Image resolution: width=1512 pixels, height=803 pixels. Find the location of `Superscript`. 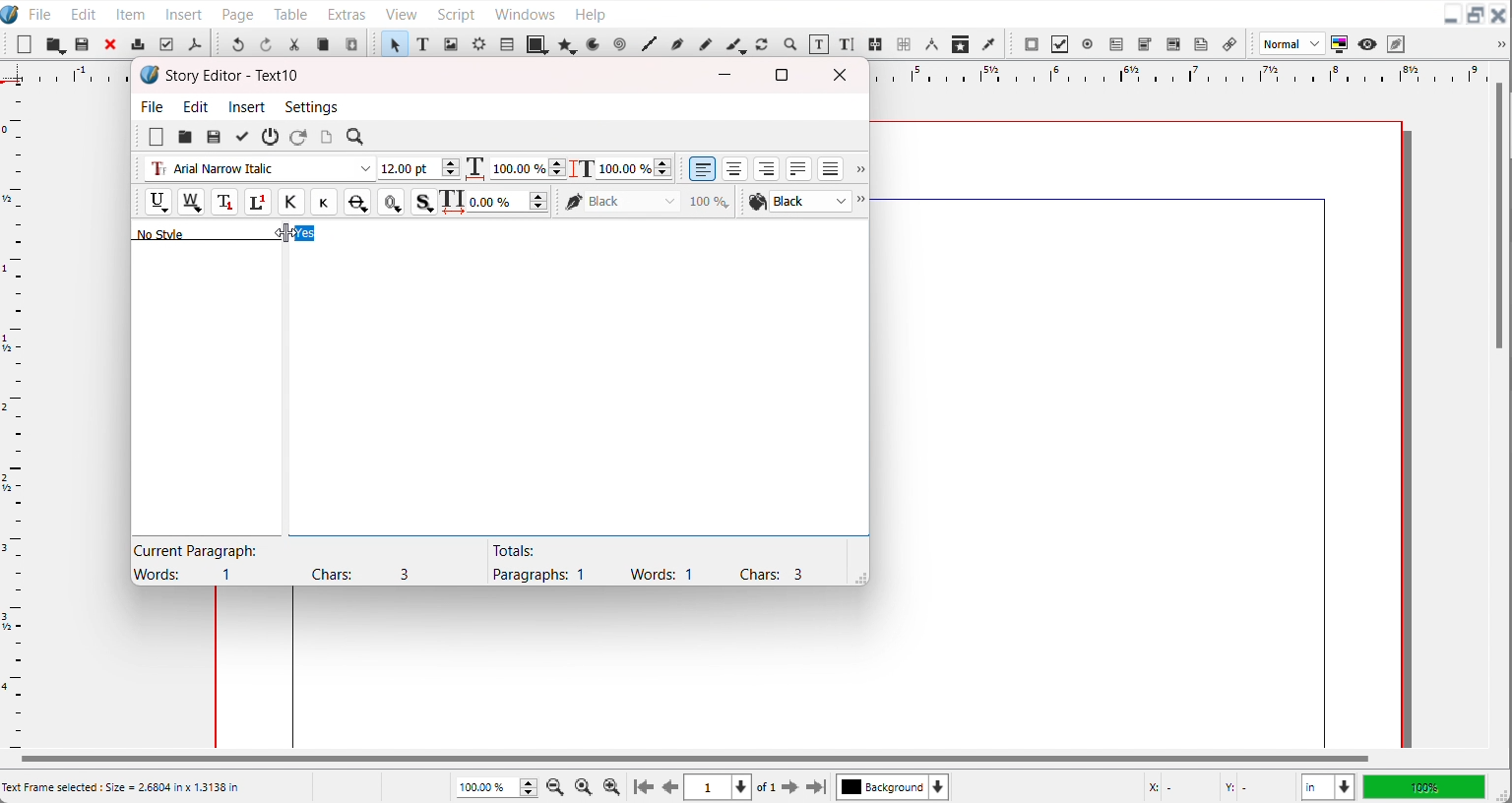

Superscript is located at coordinates (259, 203).